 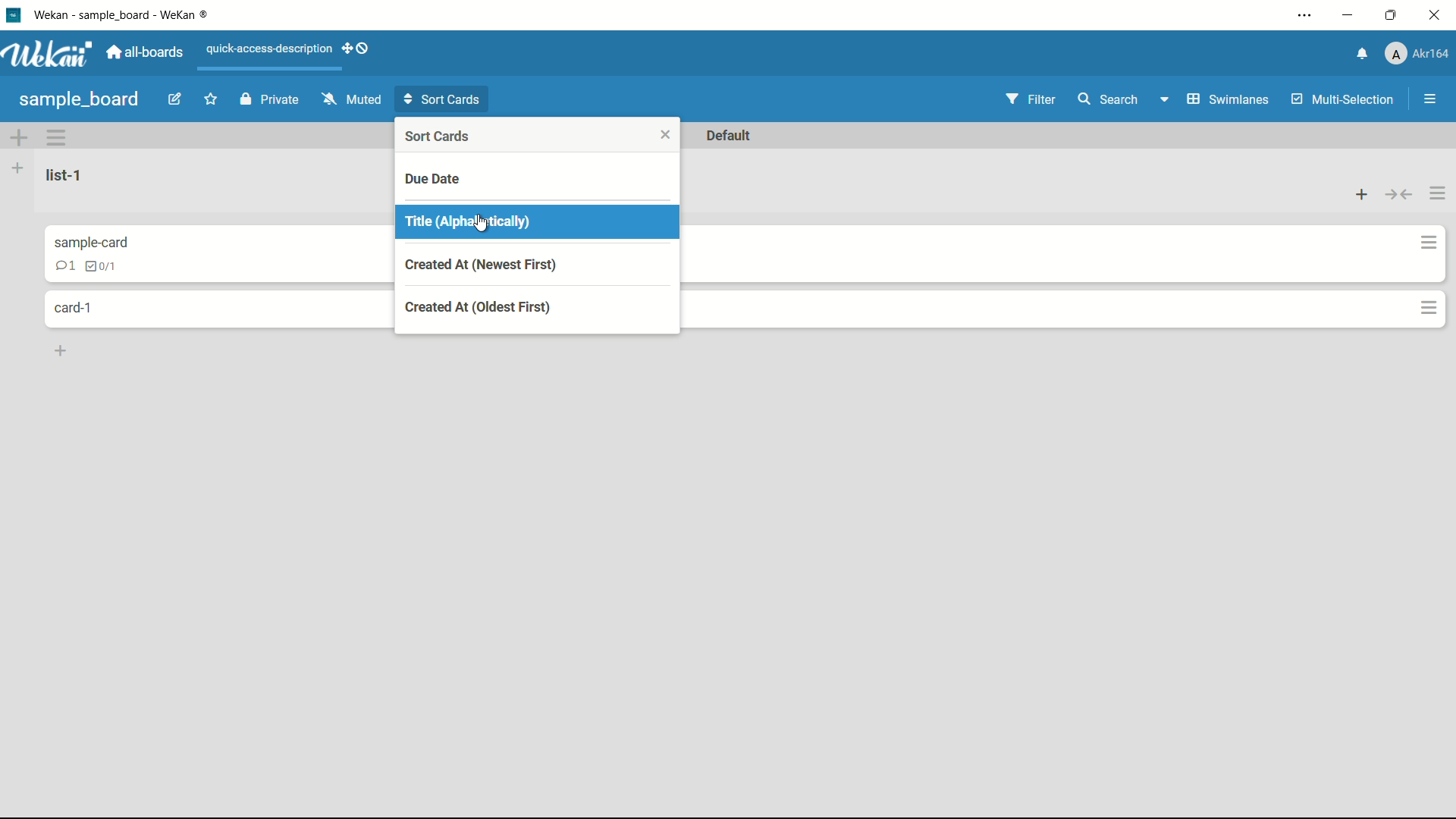 I want to click on add star, so click(x=212, y=99).